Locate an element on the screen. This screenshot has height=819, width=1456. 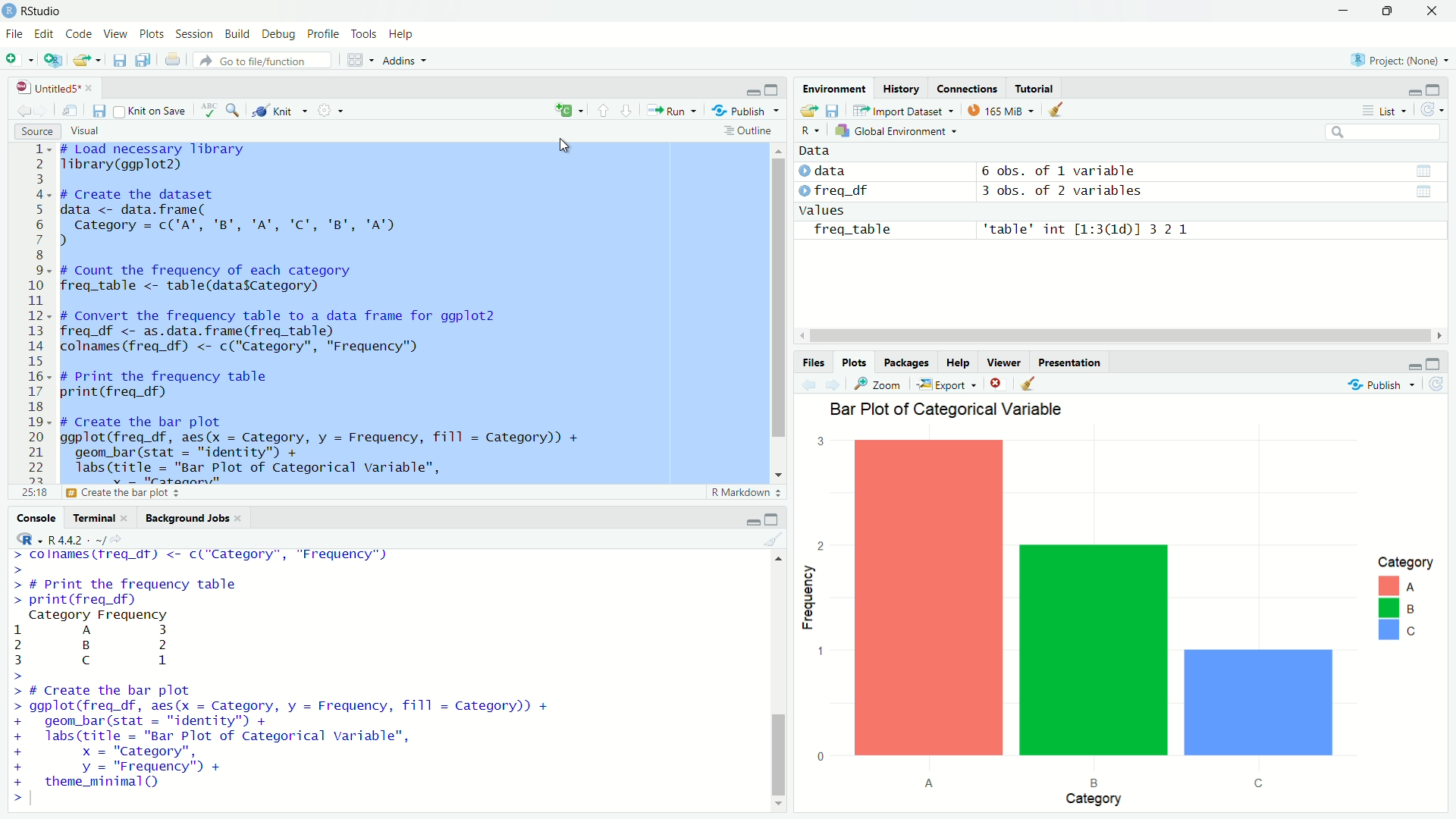
clear all plots is located at coordinates (1030, 384).